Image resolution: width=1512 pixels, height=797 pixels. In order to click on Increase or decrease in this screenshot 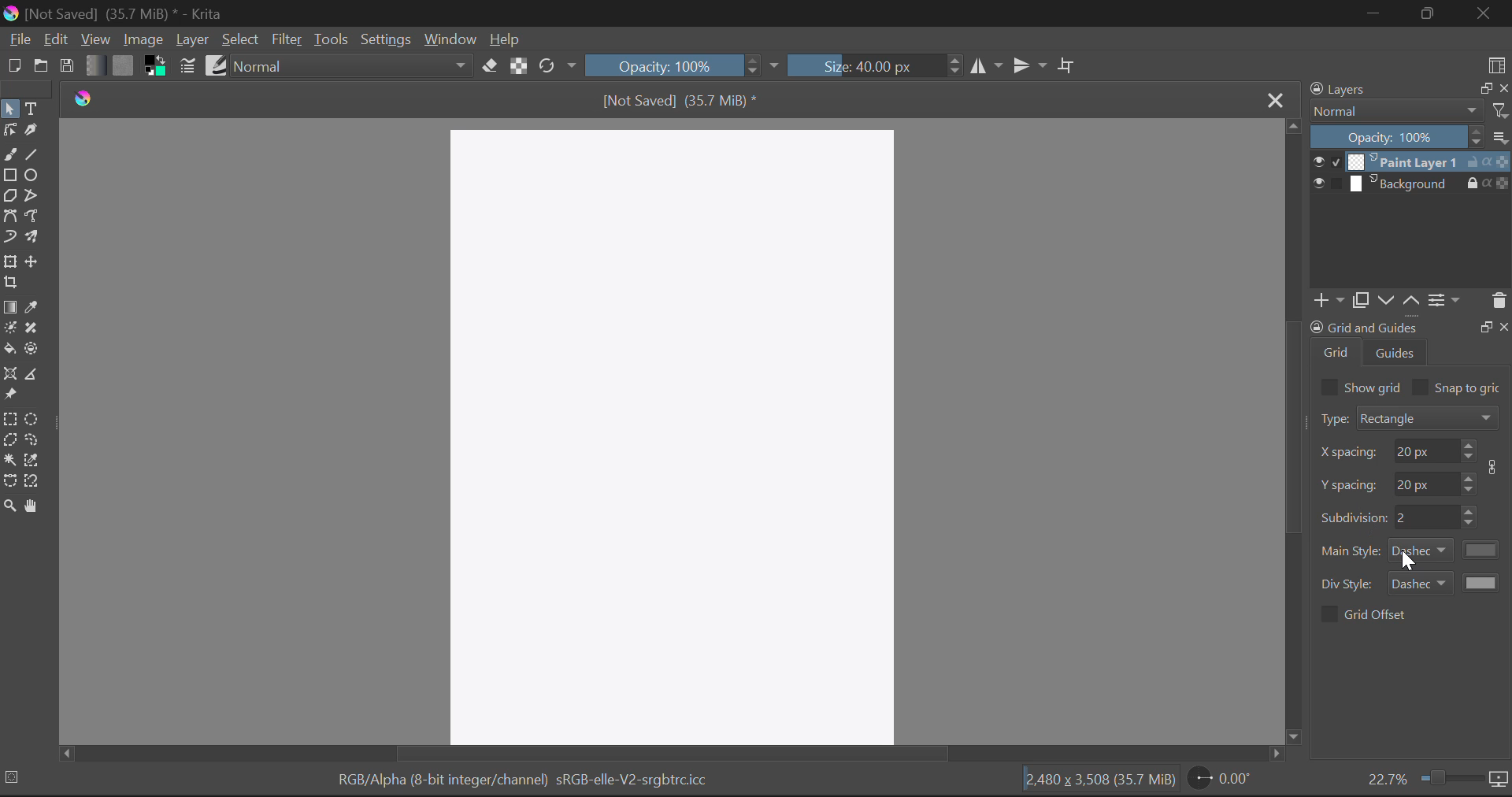, I will do `click(1469, 482)`.